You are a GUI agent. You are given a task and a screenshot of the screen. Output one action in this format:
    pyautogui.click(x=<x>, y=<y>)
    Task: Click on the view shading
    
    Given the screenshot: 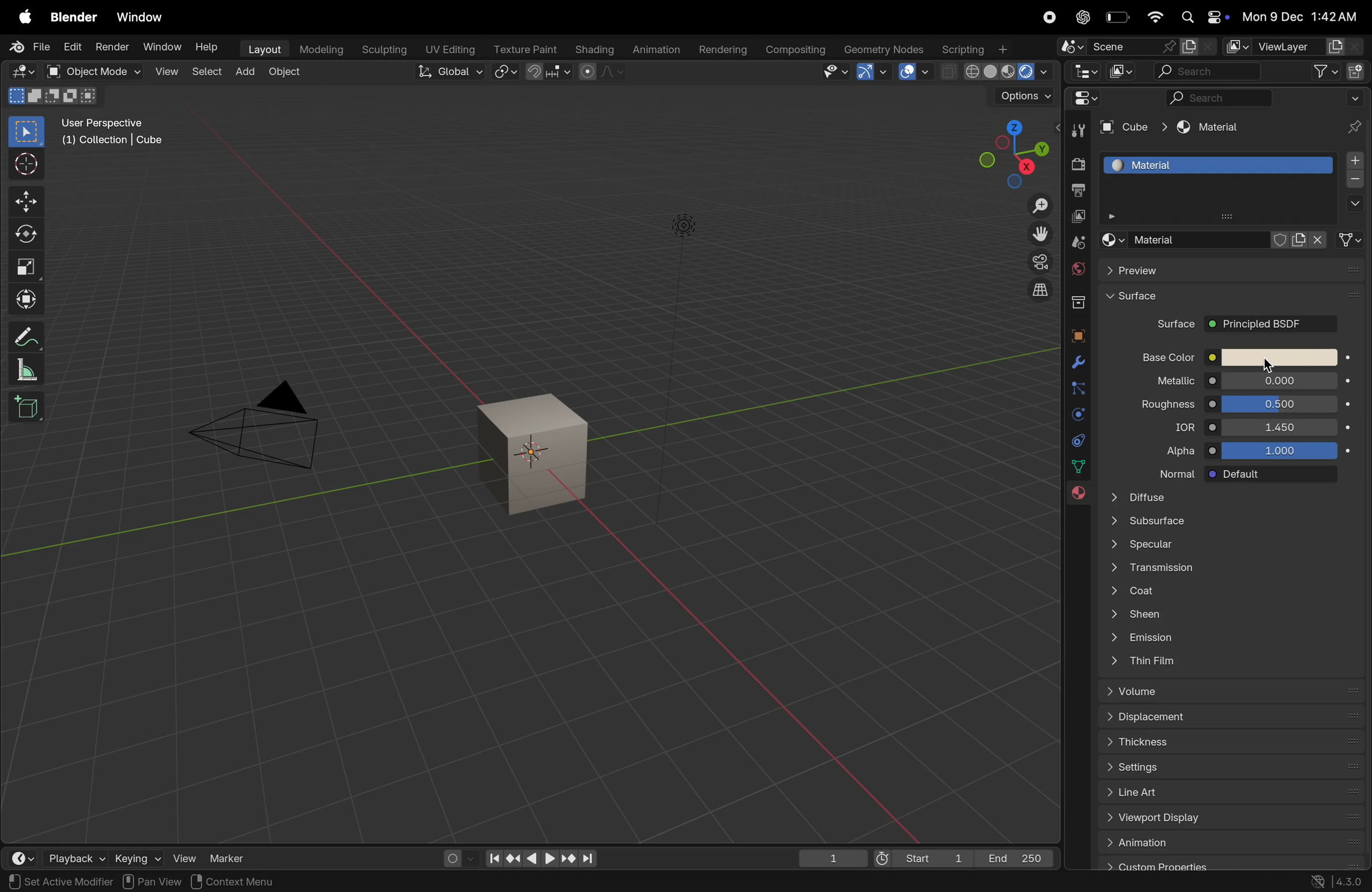 What is the action you would take?
    pyautogui.click(x=997, y=73)
    